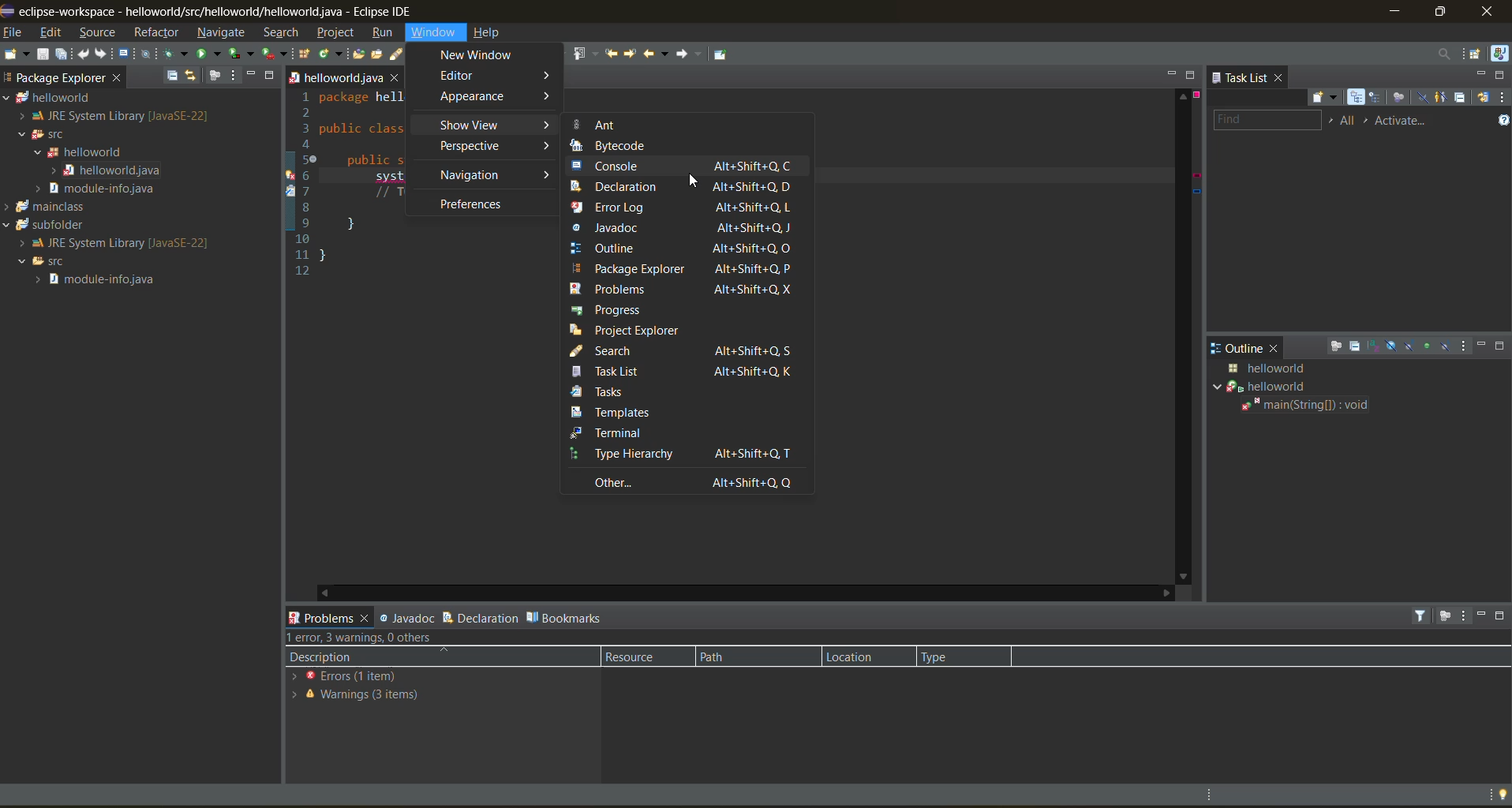  What do you see at coordinates (1420, 96) in the screenshot?
I see `hide completed tasks` at bounding box center [1420, 96].